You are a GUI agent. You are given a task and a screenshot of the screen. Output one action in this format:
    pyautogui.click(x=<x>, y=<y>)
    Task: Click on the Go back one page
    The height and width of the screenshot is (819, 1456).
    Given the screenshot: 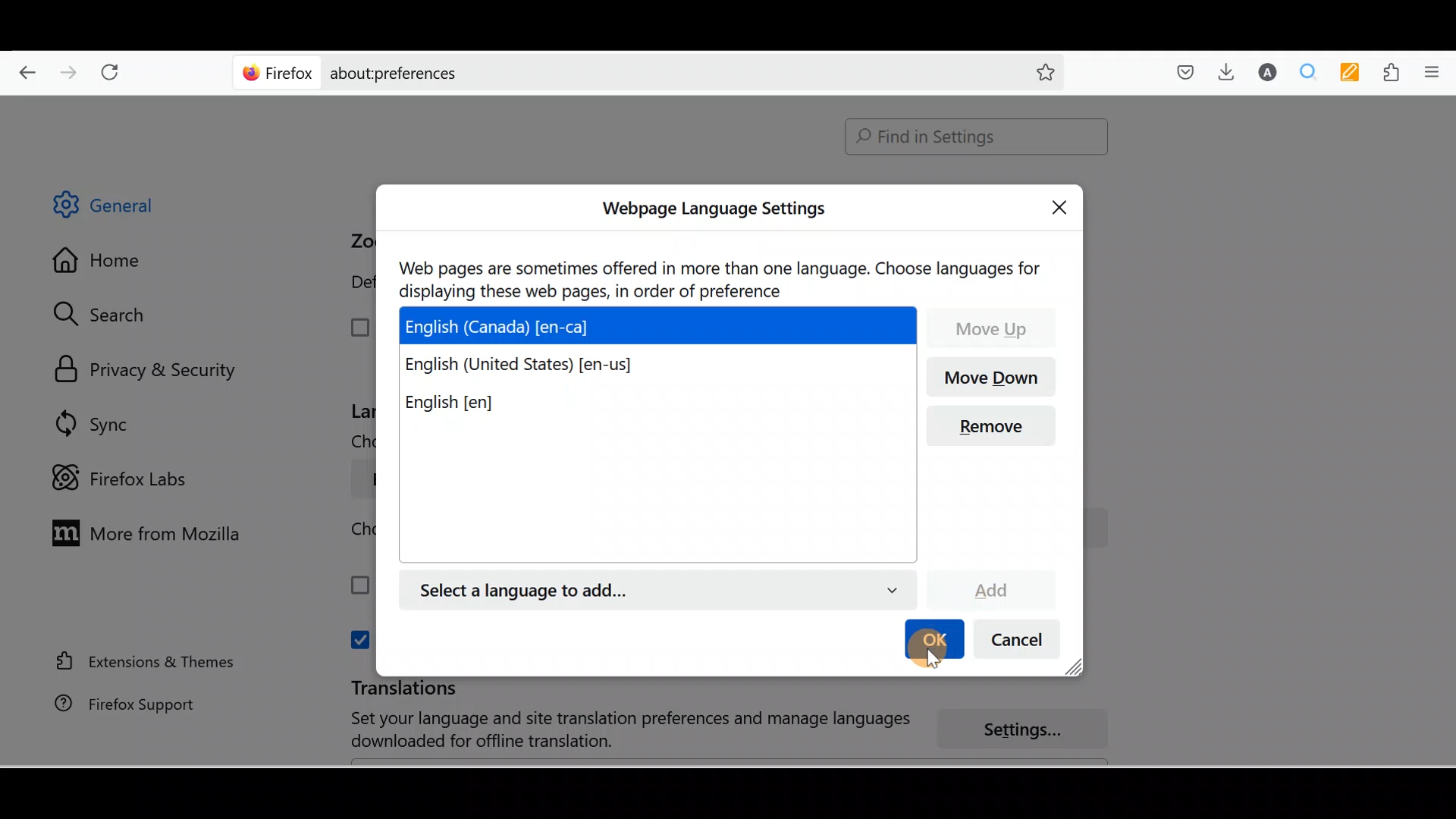 What is the action you would take?
    pyautogui.click(x=21, y=68)
    